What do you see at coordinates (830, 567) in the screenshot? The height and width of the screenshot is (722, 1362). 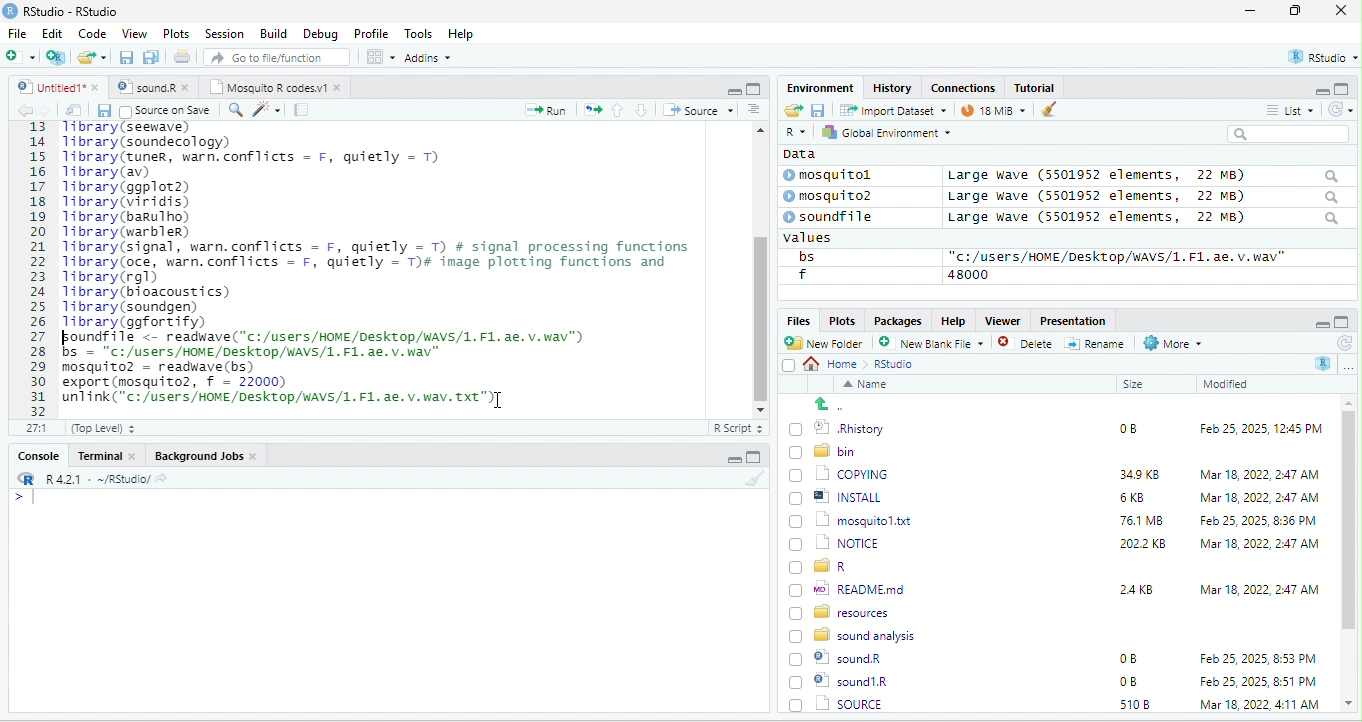 I see `[) = R` at bounding box center [830, 567].